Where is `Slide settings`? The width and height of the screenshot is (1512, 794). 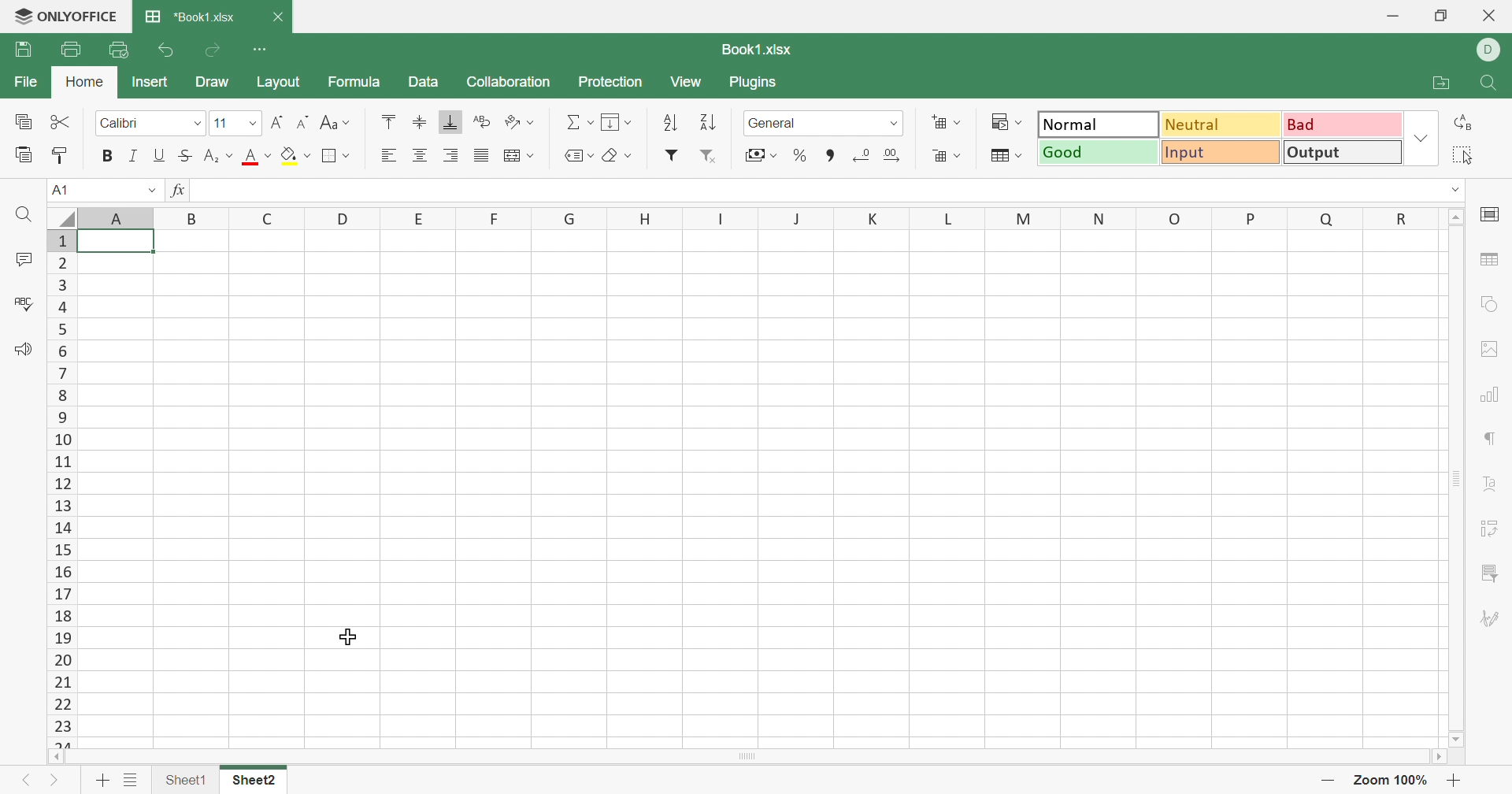
Slide settings is located at coordinates (1492, 213).